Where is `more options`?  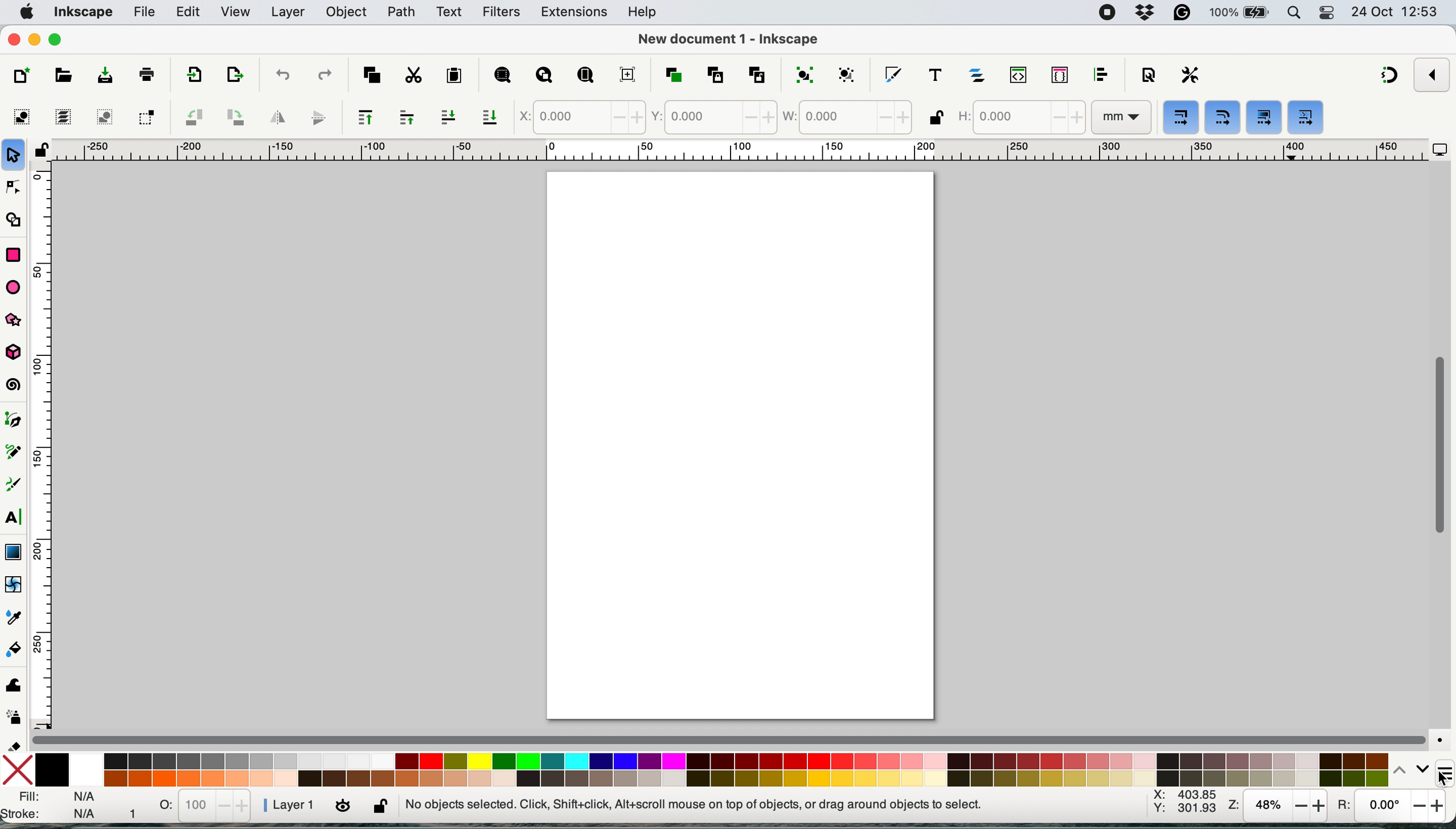
more options is located at coordinates (1442, 766).